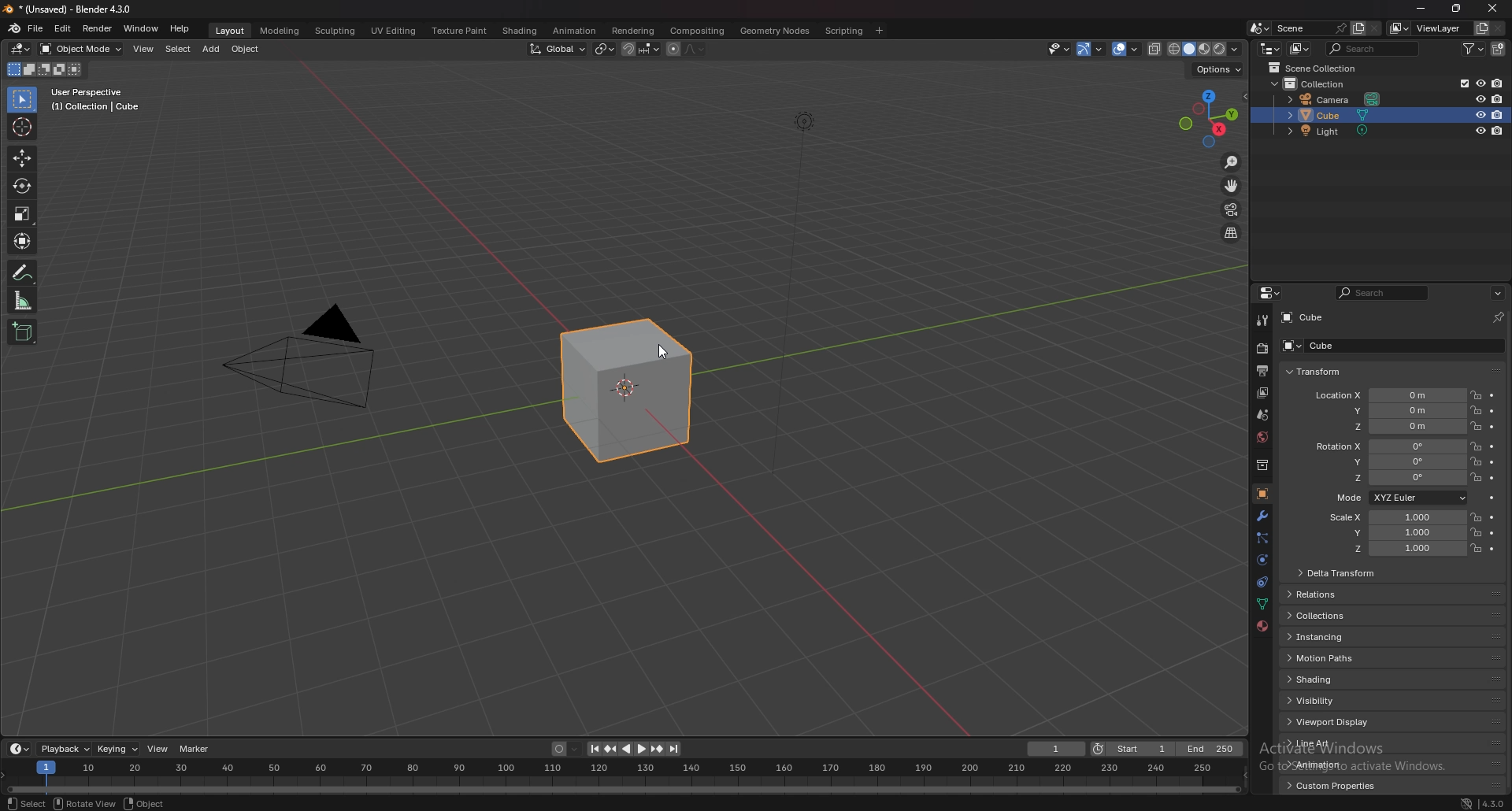 The width and height of the screenshot is (1512, 811). What do you see at coordinates (1332, 785) in the screenshot?
I see `custom properties` at bounding box center [1332, 785].